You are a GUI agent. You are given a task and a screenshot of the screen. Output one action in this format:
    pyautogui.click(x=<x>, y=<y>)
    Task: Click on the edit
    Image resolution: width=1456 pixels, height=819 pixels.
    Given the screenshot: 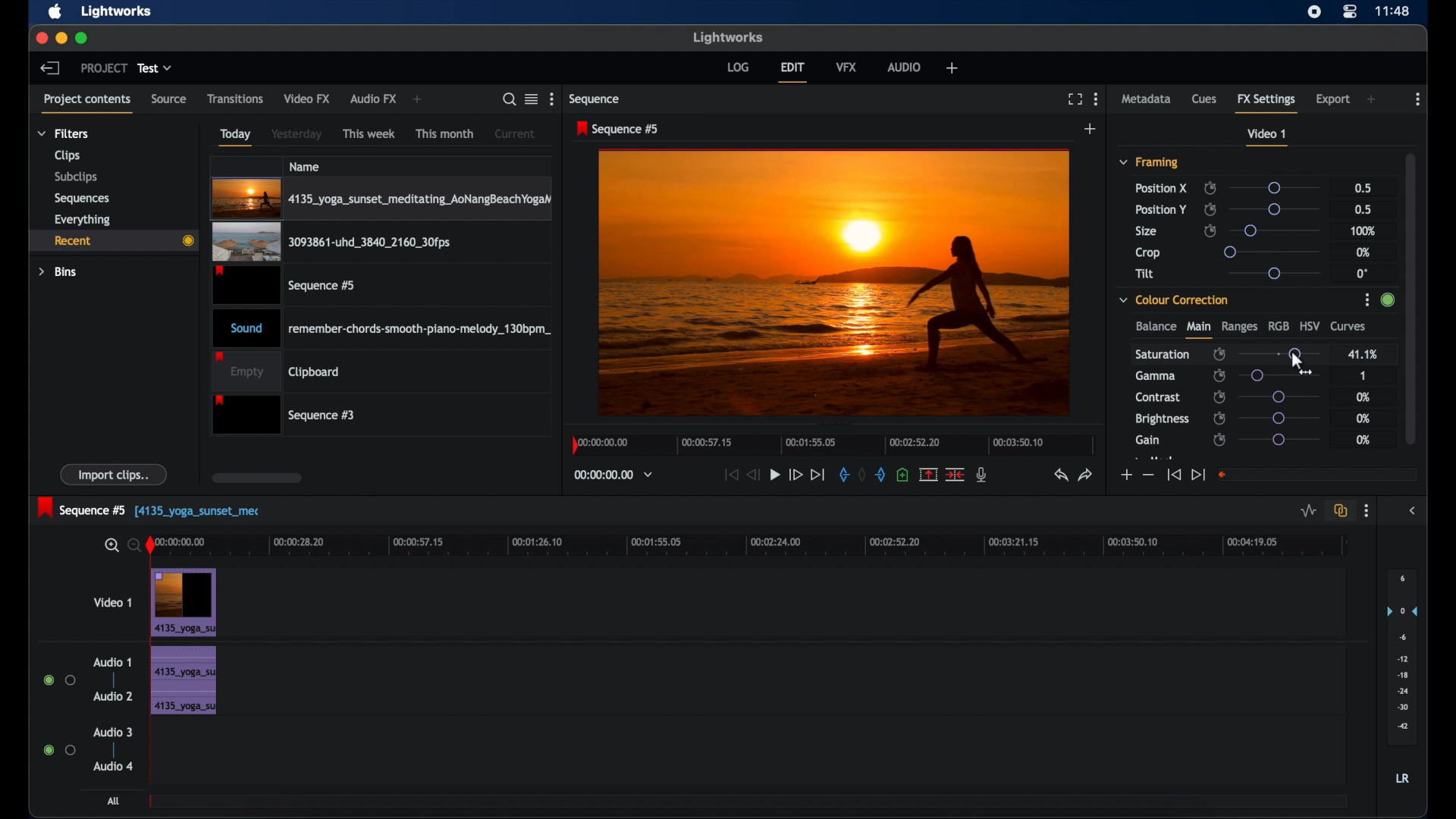 What is the action you would take?
    pyautogui.click(x=792, y=72)
    